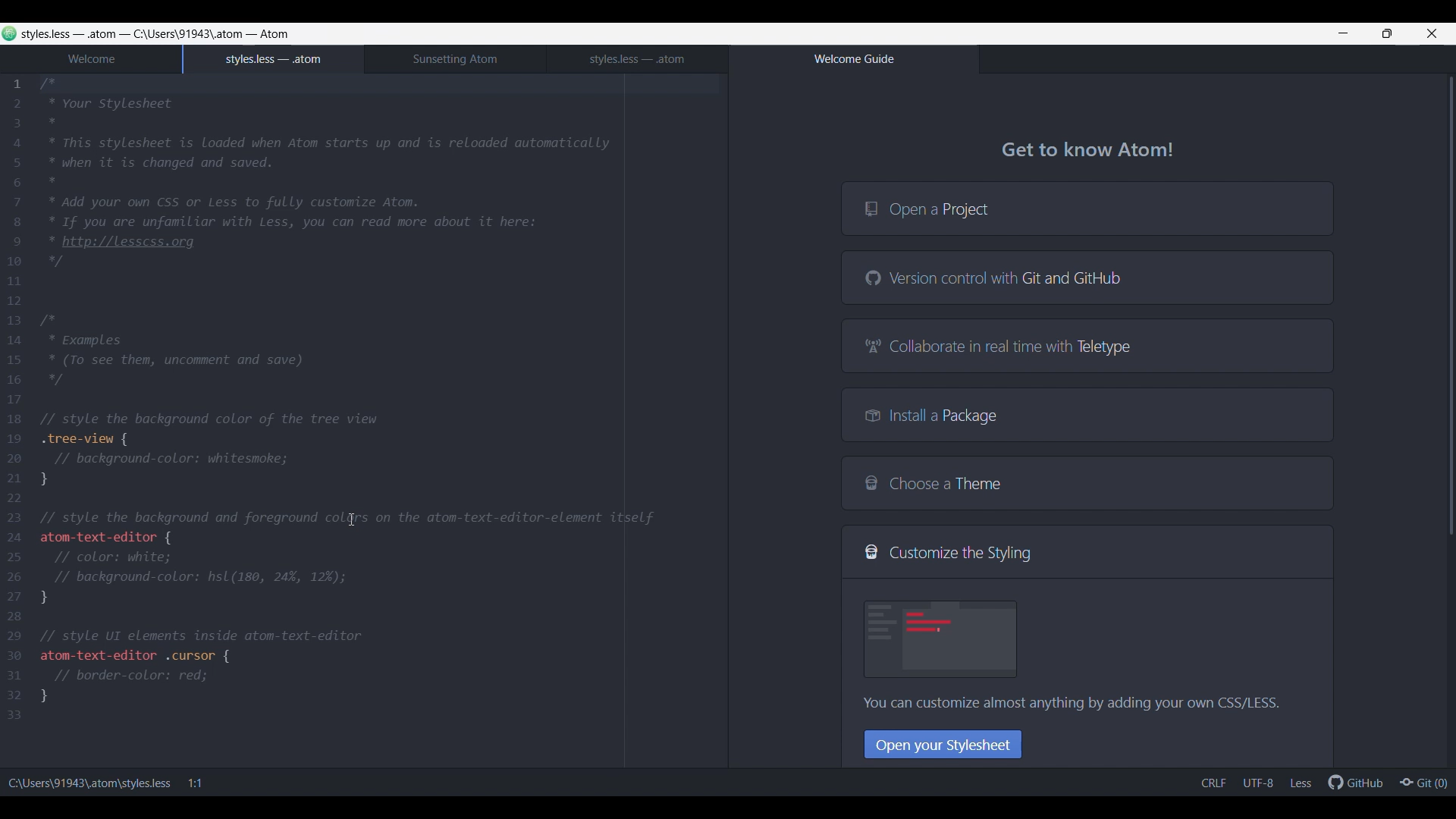 The width and height of the screenshot is (1456, 819). Describe the element at coordinates (1343, 33) in the screenshot. I see `Minimize` at that location.